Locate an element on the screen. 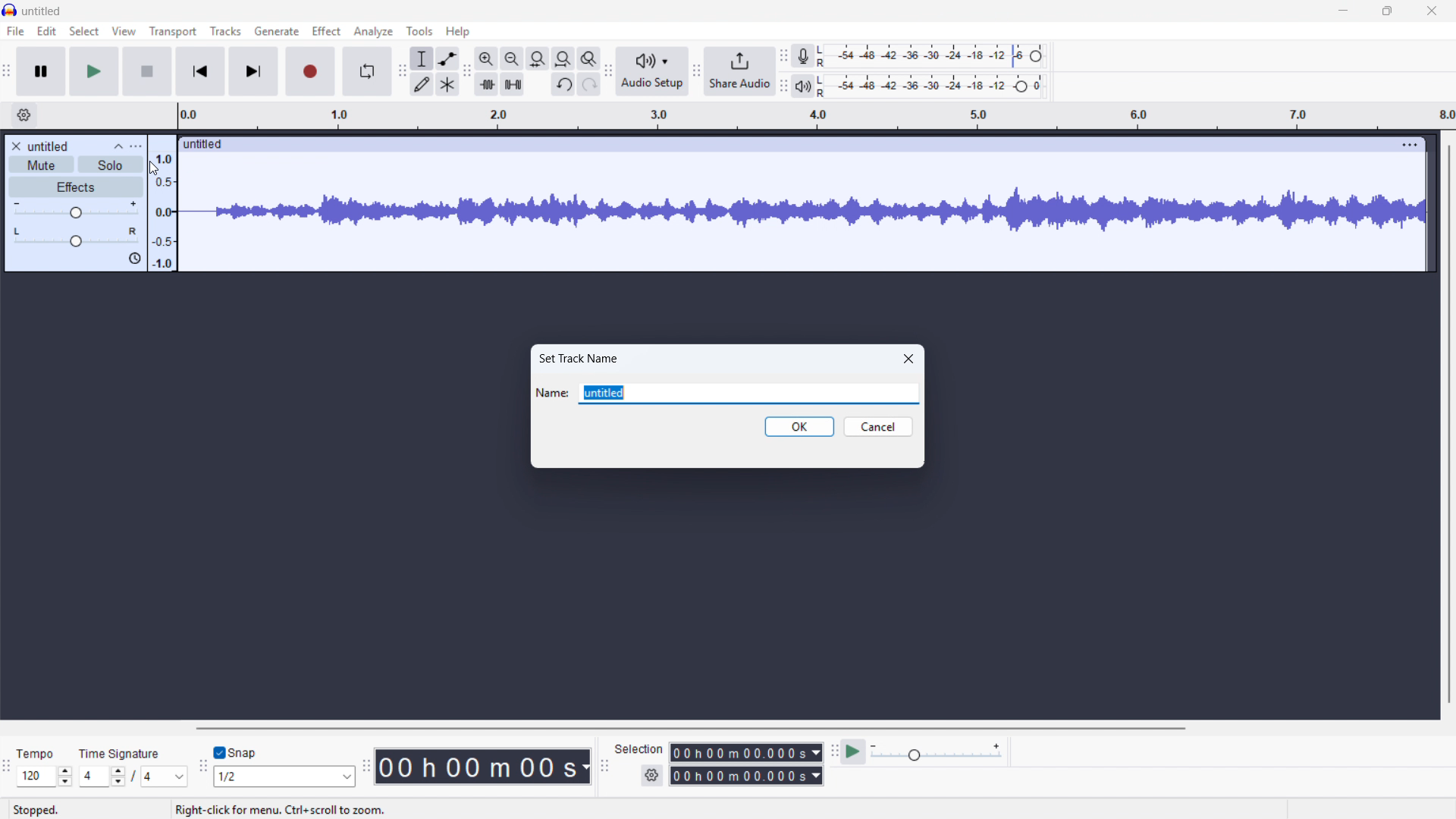  untitled is located at coordinates (49, 146).